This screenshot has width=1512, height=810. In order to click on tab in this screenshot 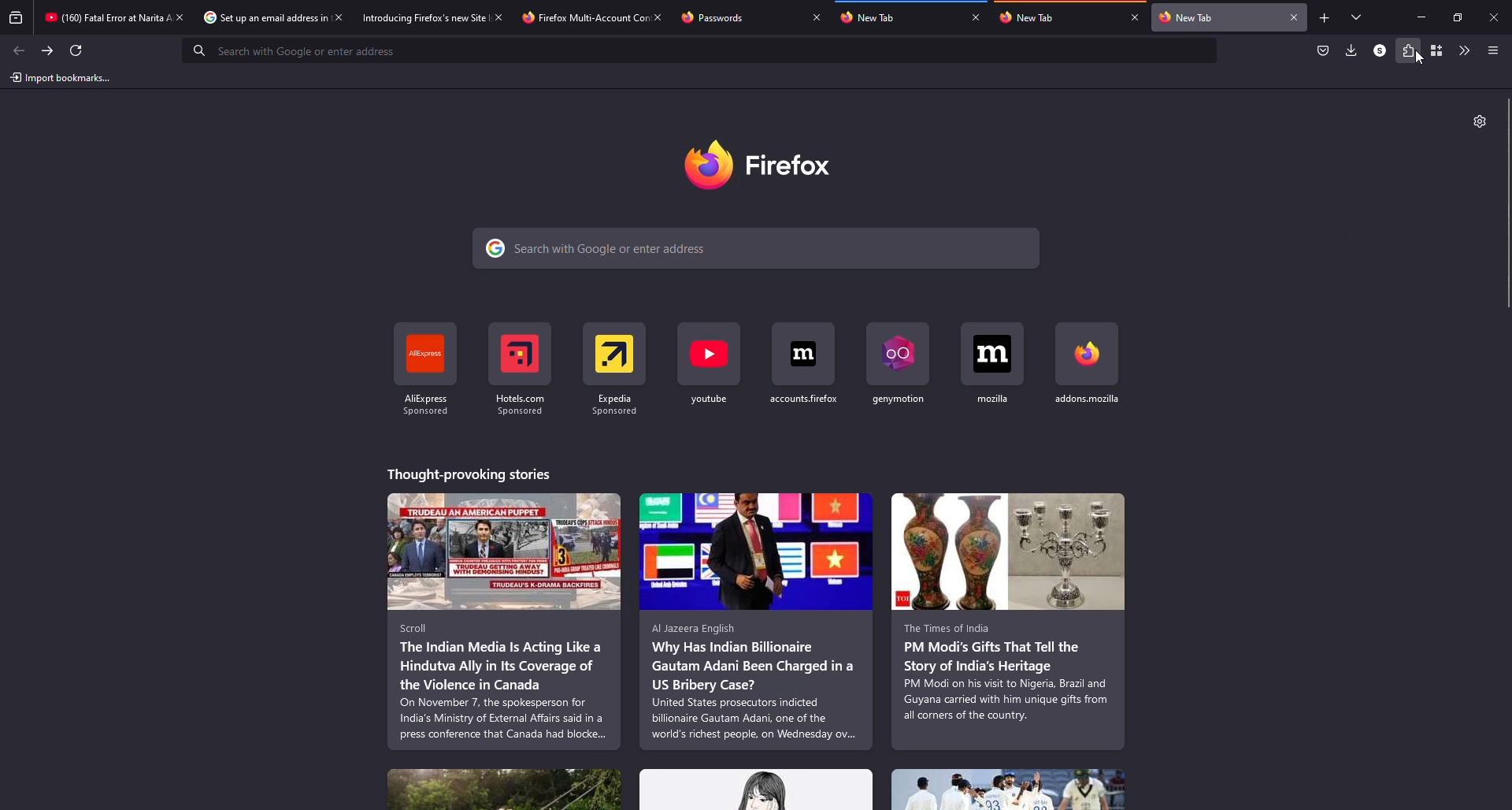, I will do `click(254, 17)`.